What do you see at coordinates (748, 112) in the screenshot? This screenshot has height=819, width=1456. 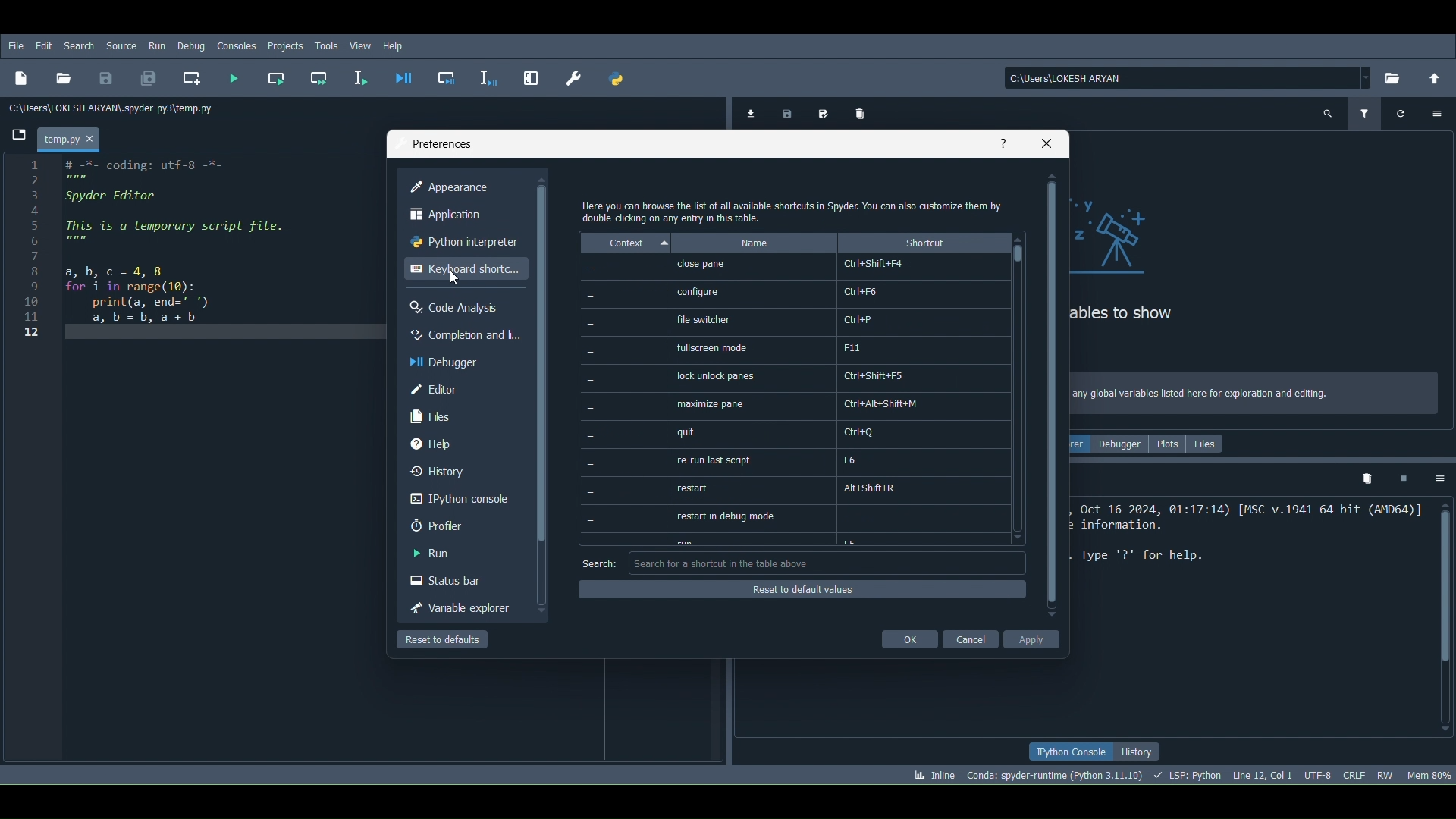 I see `Import data` at bounding box center [748, 112].